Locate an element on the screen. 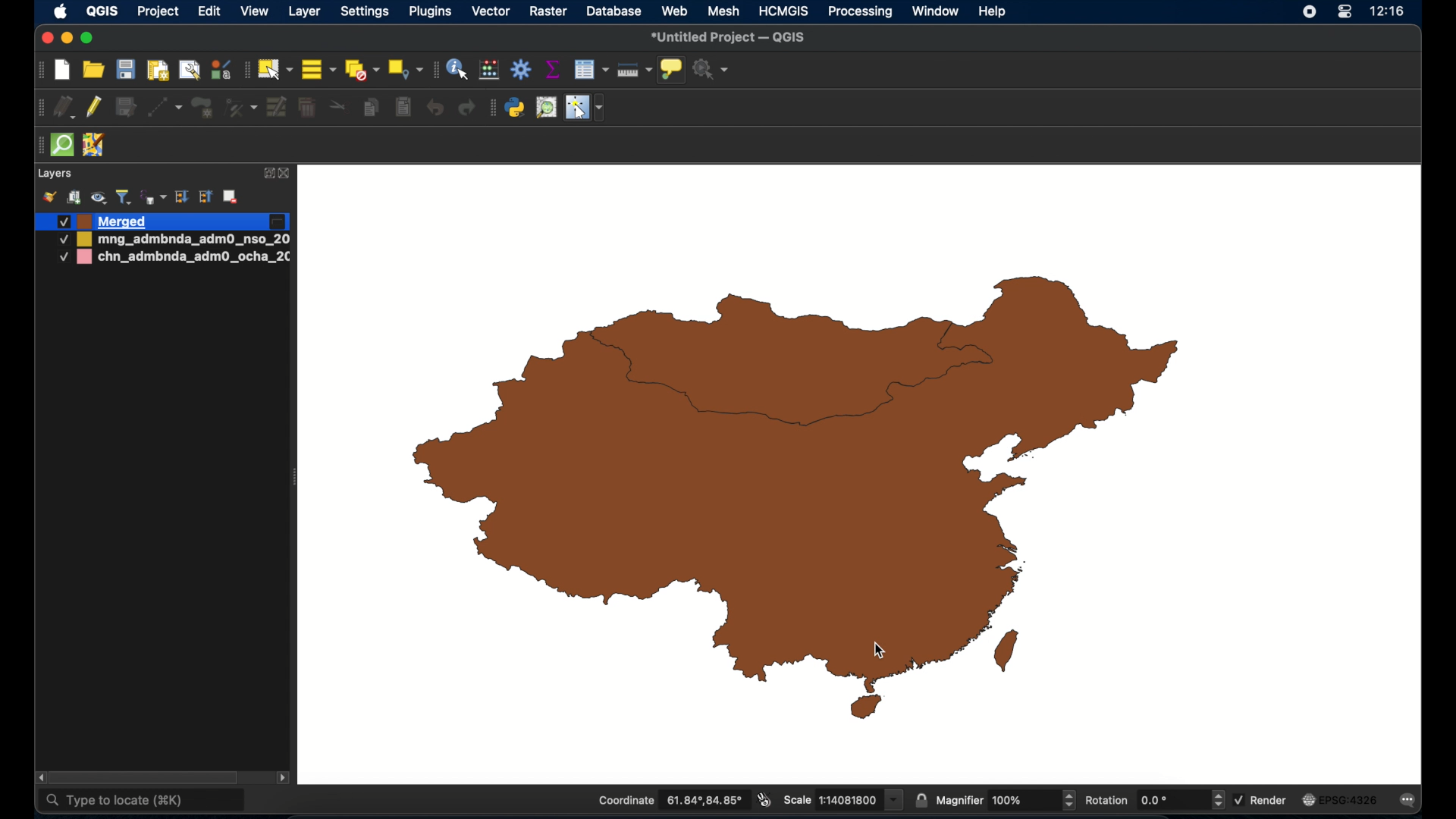  merged layers is located at coordinates (793, 489).